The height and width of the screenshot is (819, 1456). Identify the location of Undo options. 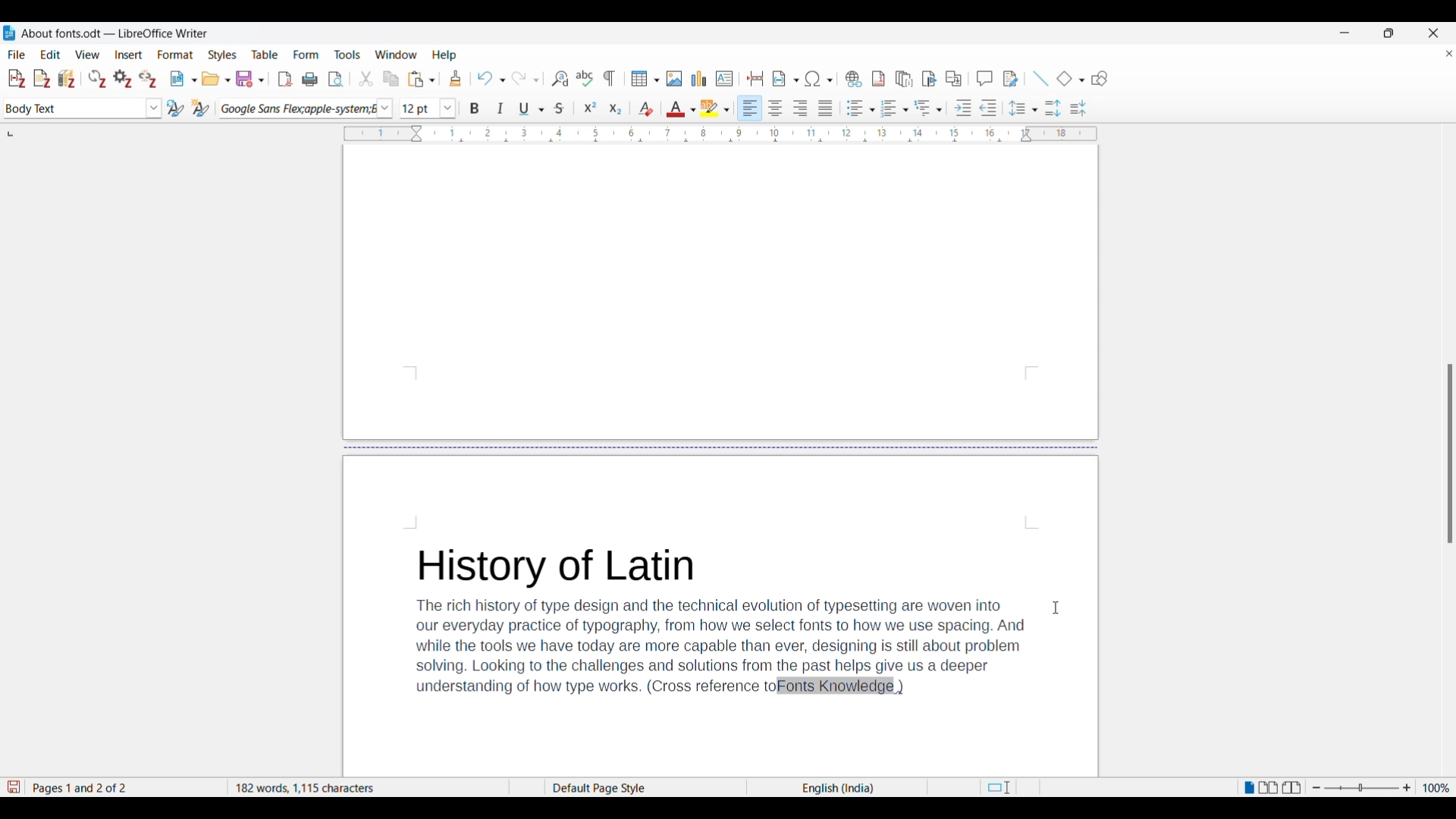
(491, 79).